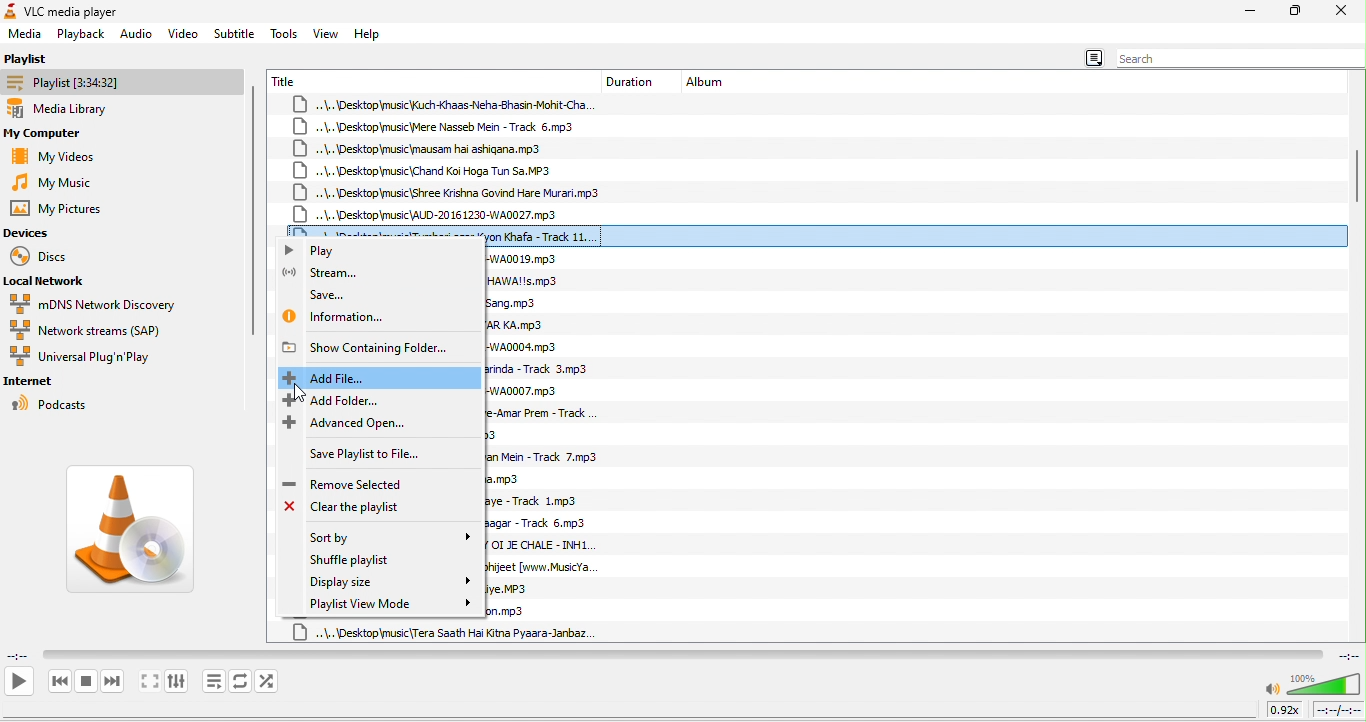 This screenshot has height=722, width=1366. What do you see at coordinates (113, 683) in the screenshot?
I see `next media` at bounding box center [113, 683].